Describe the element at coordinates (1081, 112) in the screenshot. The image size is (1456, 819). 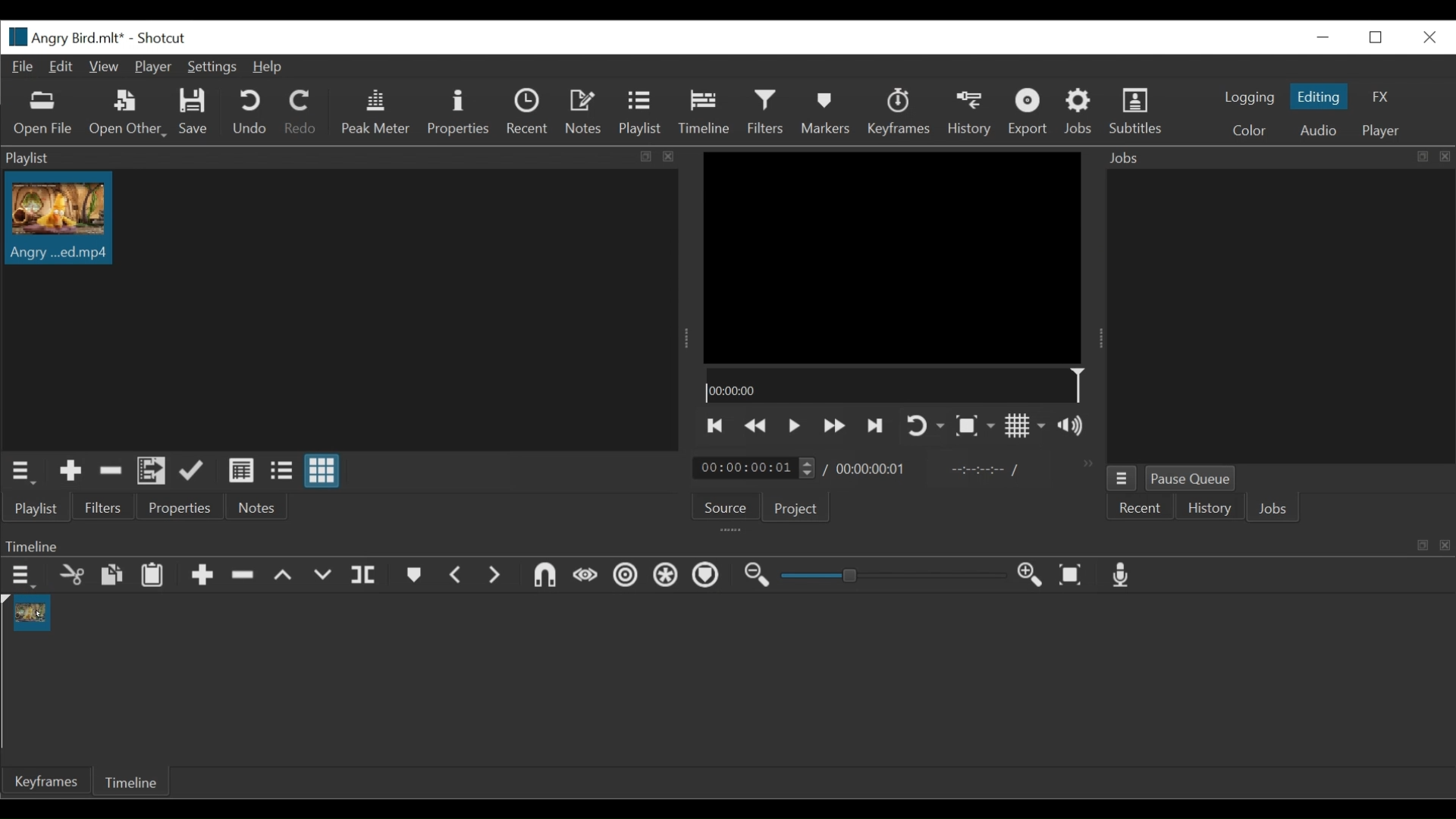
I see `Jobs` at that location.